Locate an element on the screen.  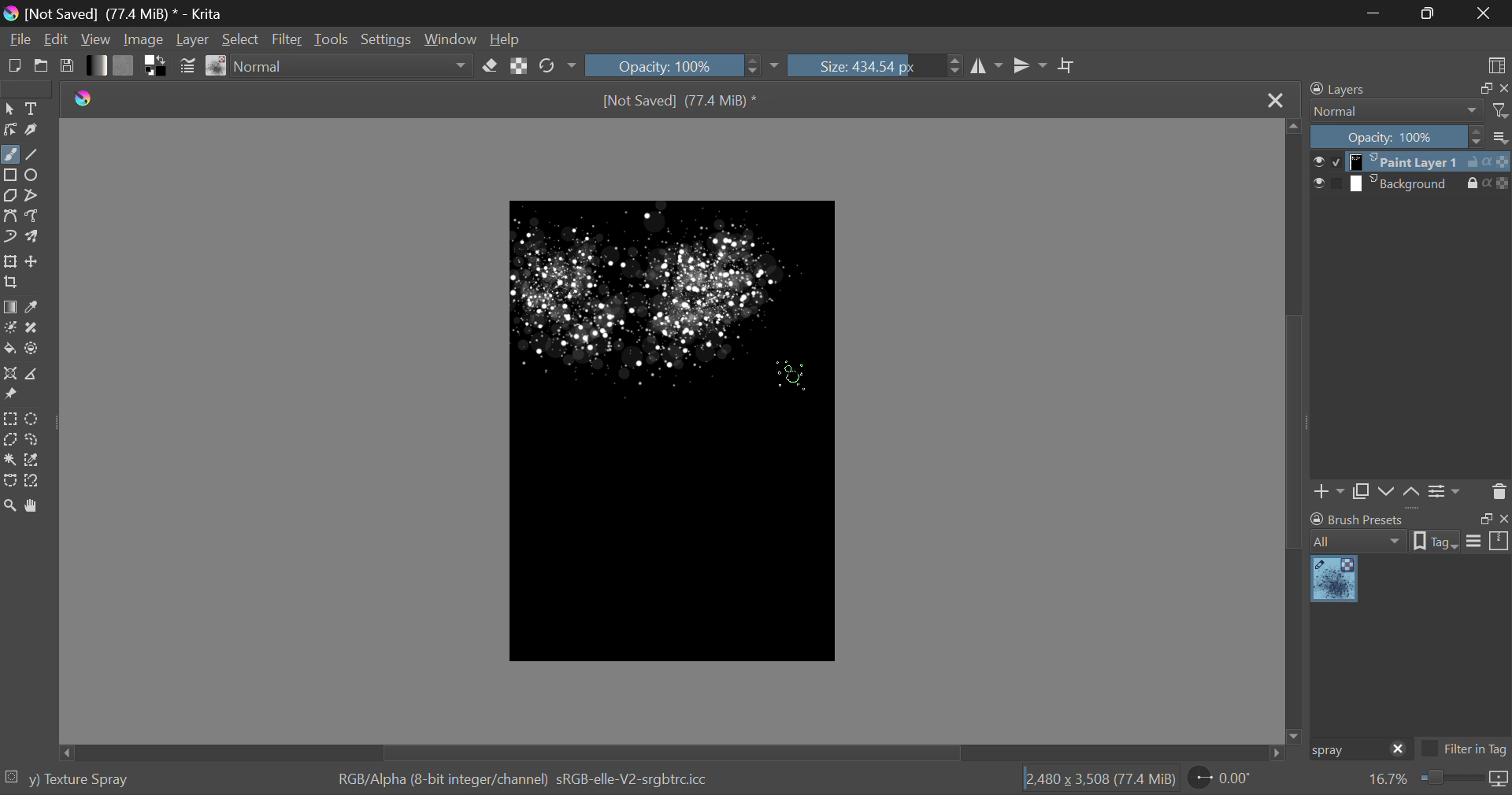
Dynamic Brush is located at coordinates (9, 235).